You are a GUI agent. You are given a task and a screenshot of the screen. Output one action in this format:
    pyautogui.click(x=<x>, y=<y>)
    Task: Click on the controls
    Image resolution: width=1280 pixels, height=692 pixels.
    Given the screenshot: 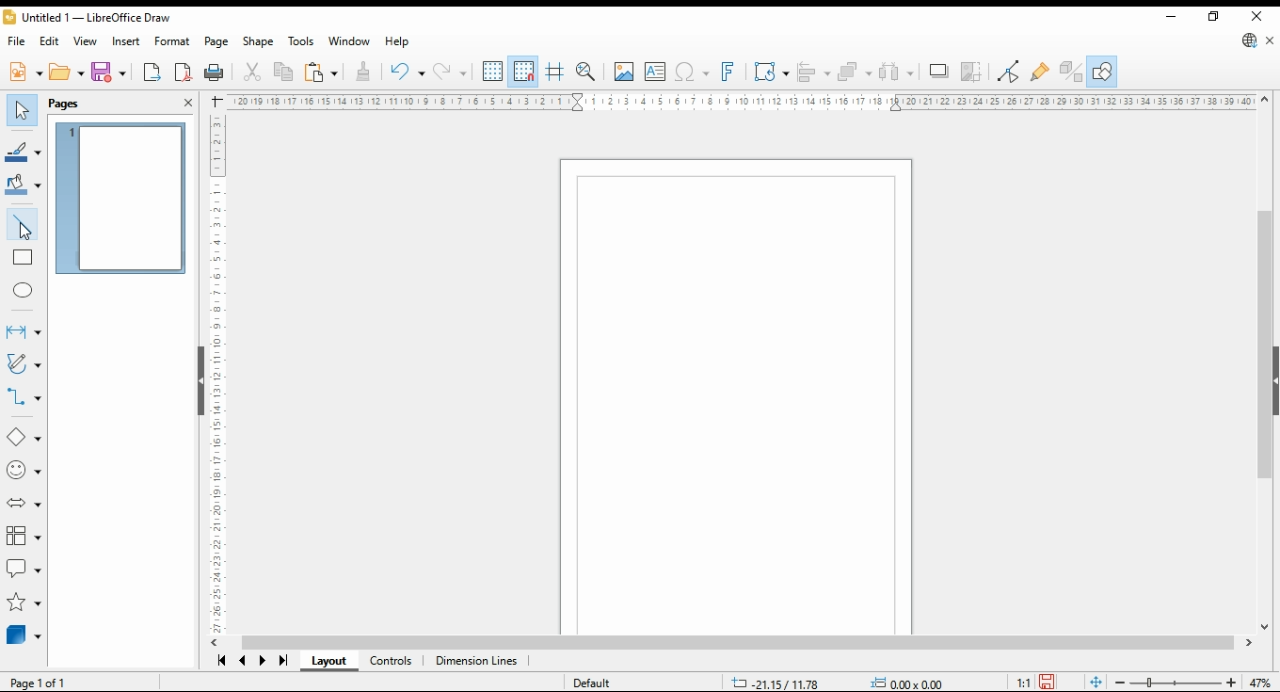 What is the action you would take?
    pyautogui.click(x=393, y=663)
    